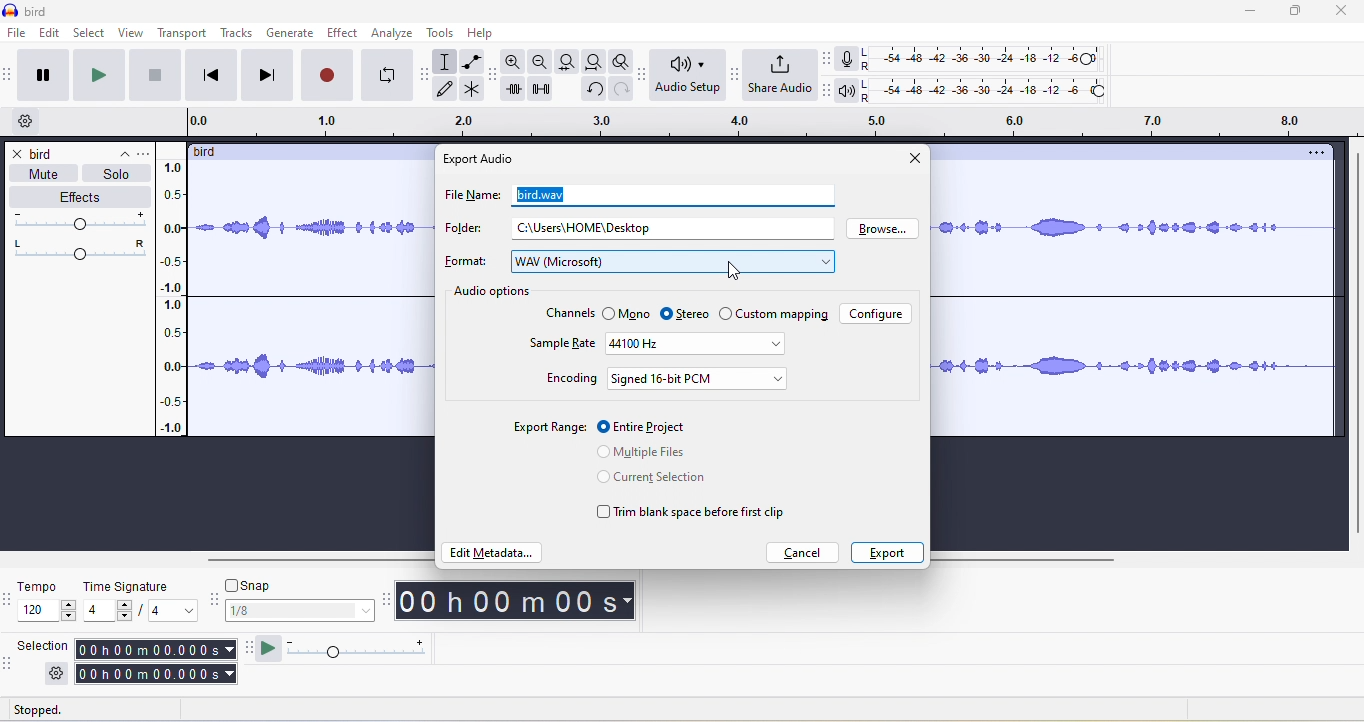 The width and height of the screenshot is (1364, 722). Describe the element at coordinates (117, 174) in the screenshot. I see `solo` at that location.